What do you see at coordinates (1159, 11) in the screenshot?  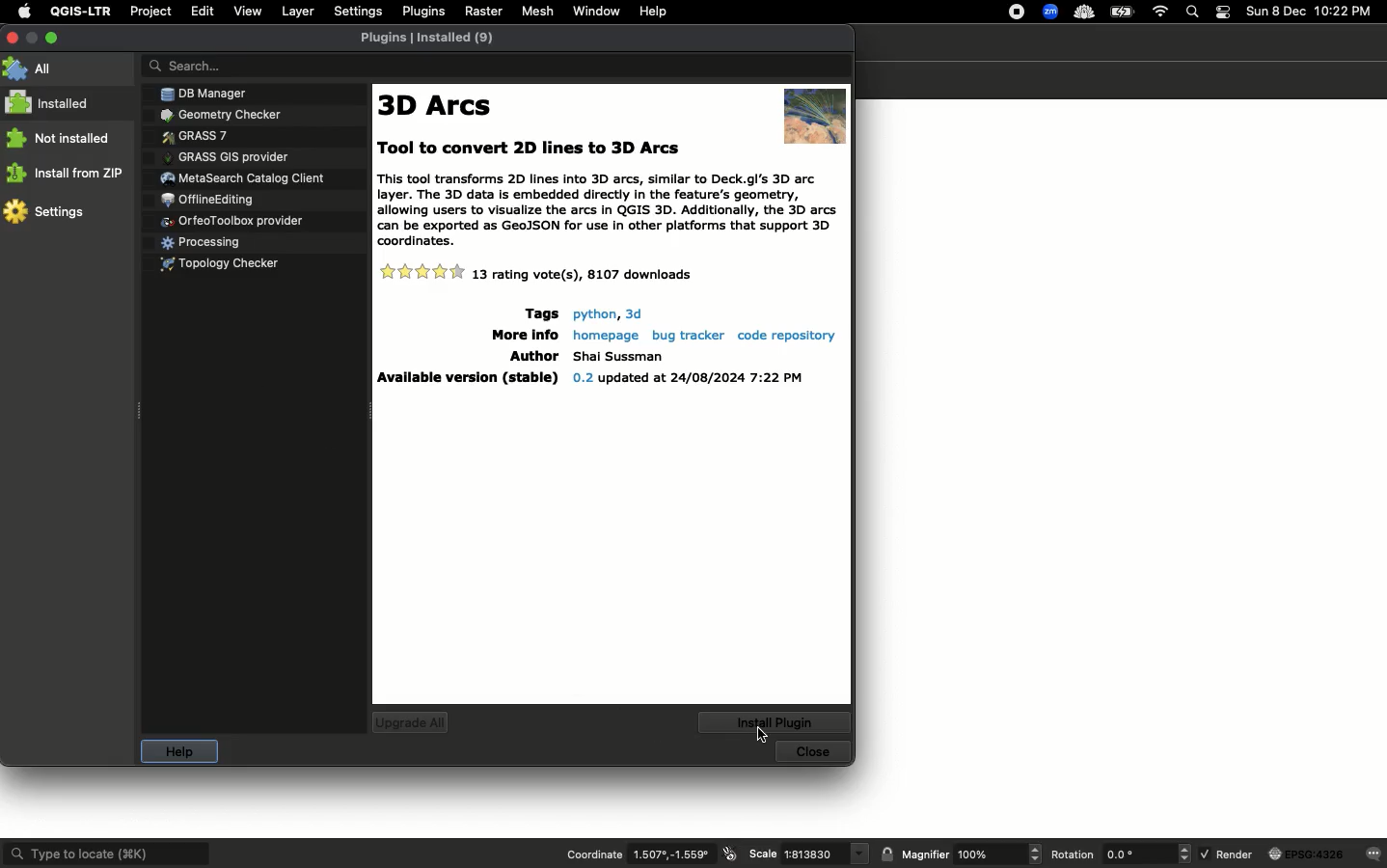 I see `Internet` at bounding box center [1159, 11].